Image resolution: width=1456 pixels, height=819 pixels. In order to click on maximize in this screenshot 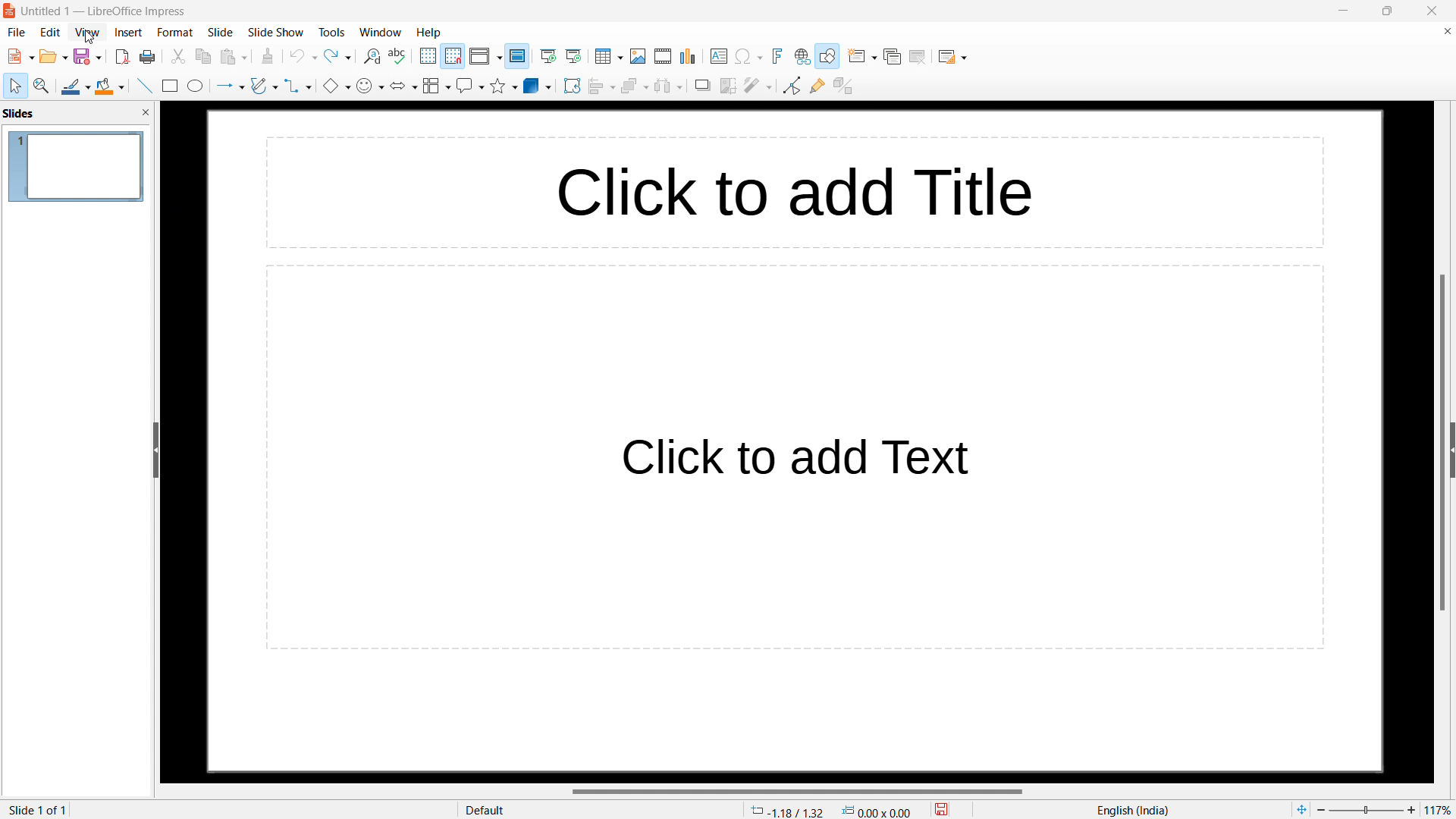, I will do `click(1386, 11)`.